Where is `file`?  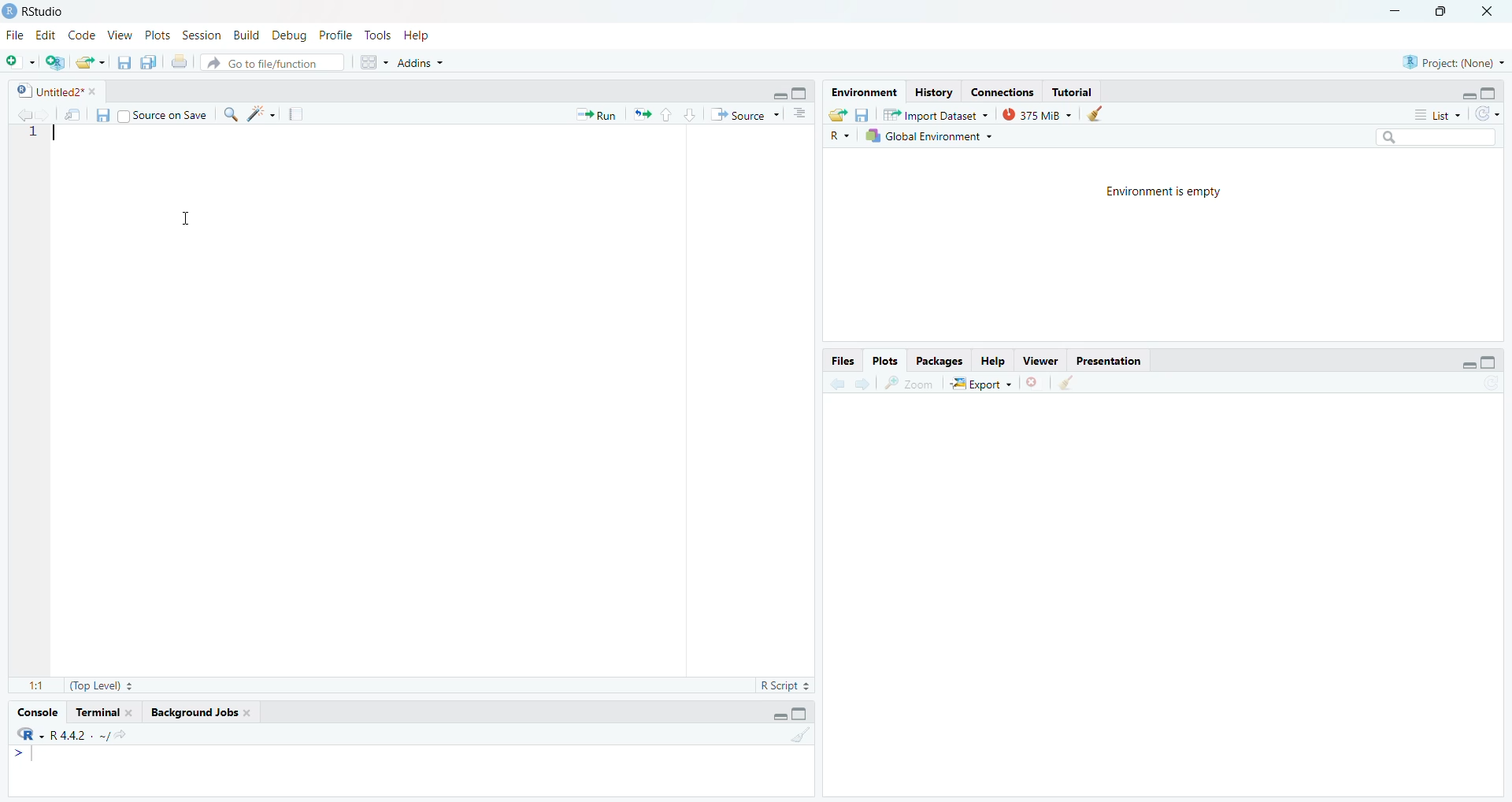 file is located at coordinates (13, 33).